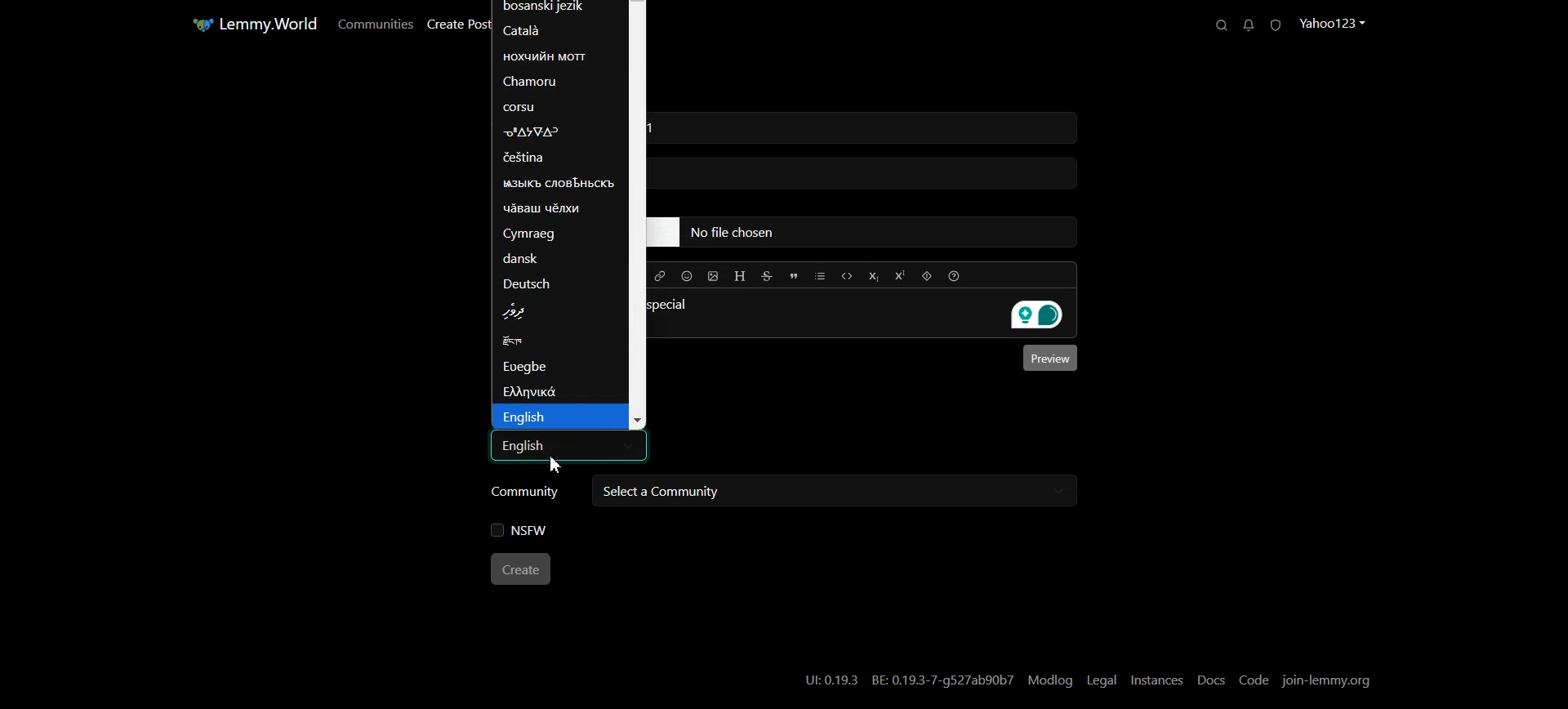  I want to click on Vertical Scroll bar, so click(639, 215).